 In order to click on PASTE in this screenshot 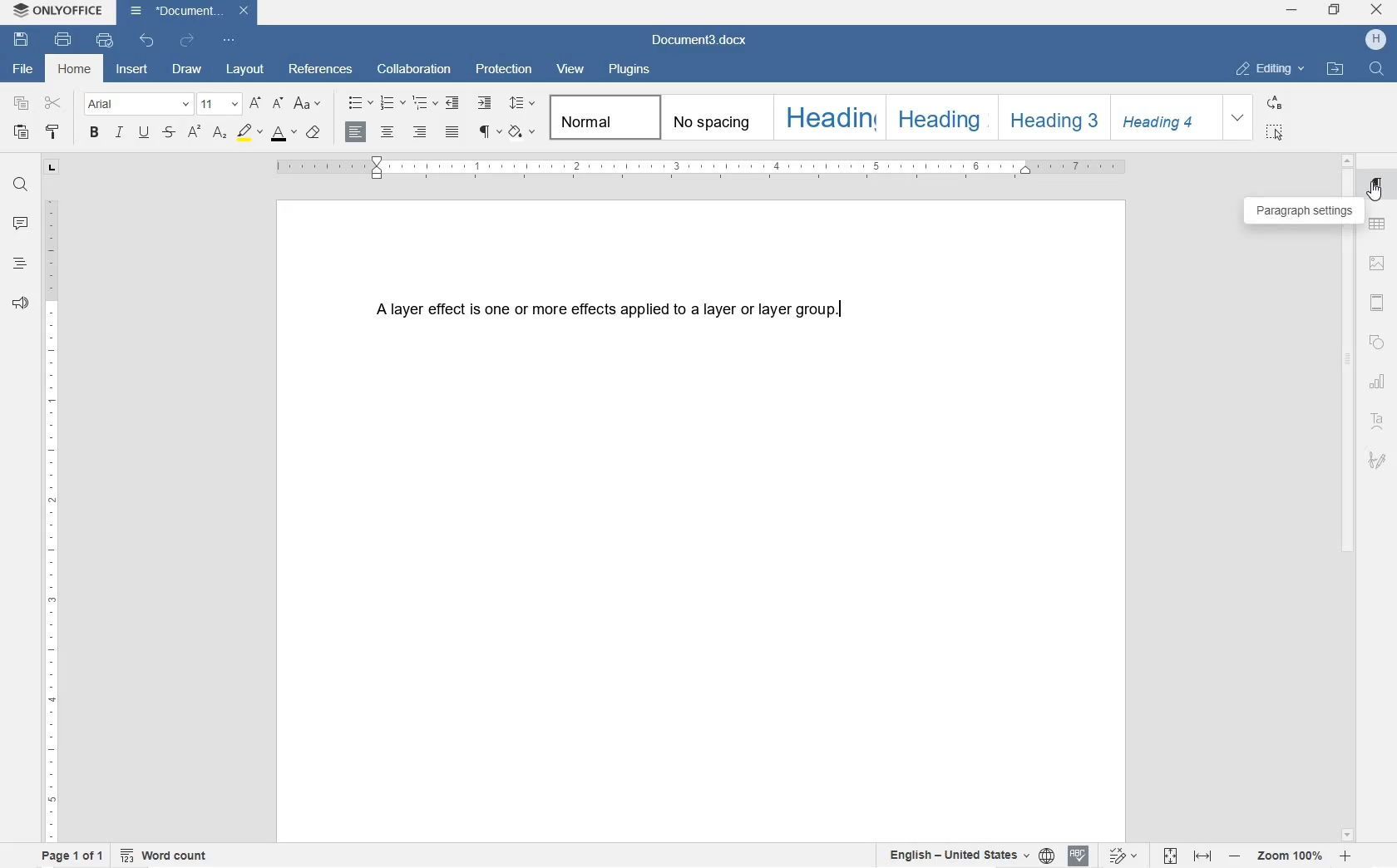, I will do `click(21, 132)`.